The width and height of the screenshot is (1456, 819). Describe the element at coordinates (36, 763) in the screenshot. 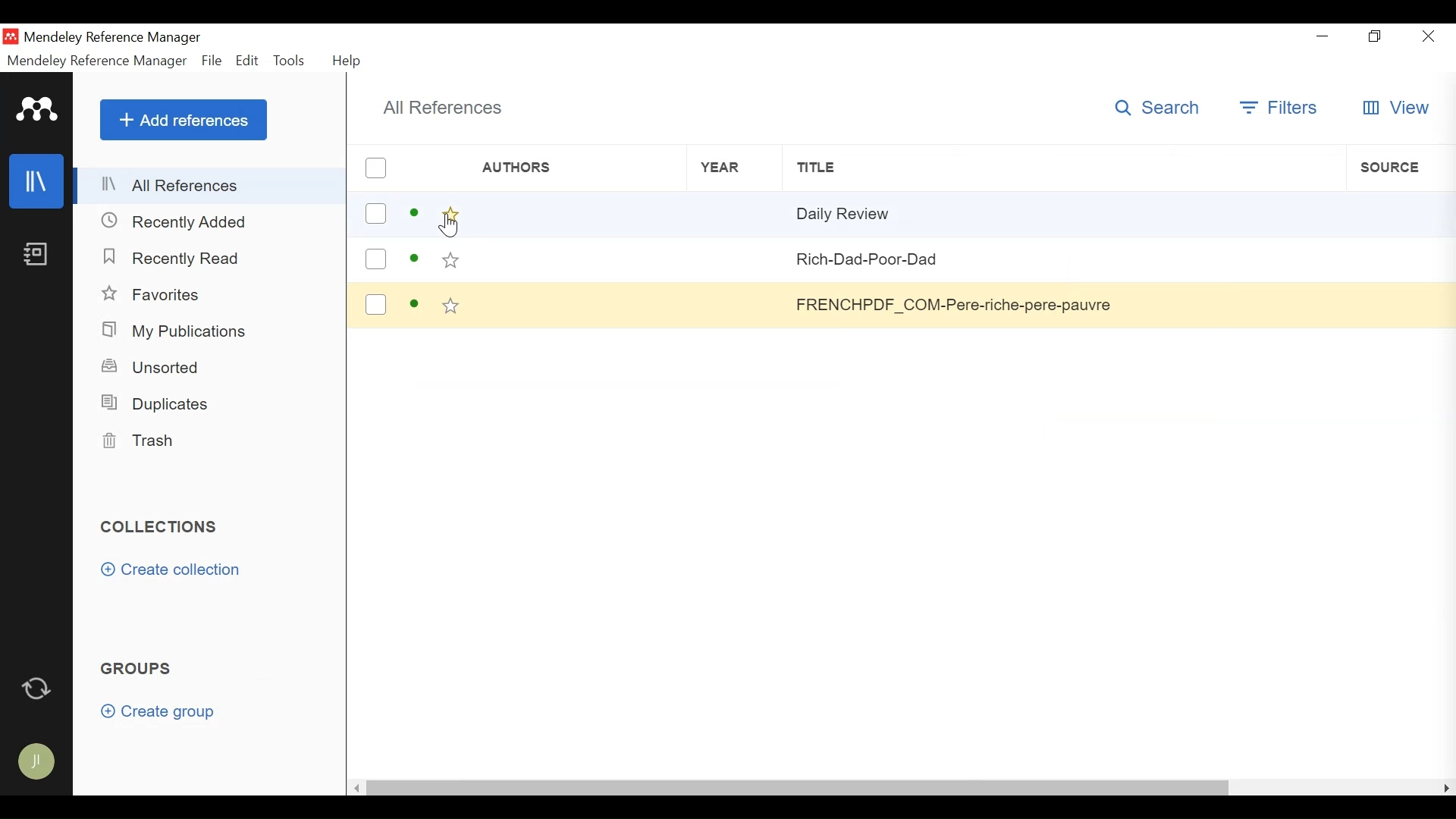

I see `Avatar` at that location.